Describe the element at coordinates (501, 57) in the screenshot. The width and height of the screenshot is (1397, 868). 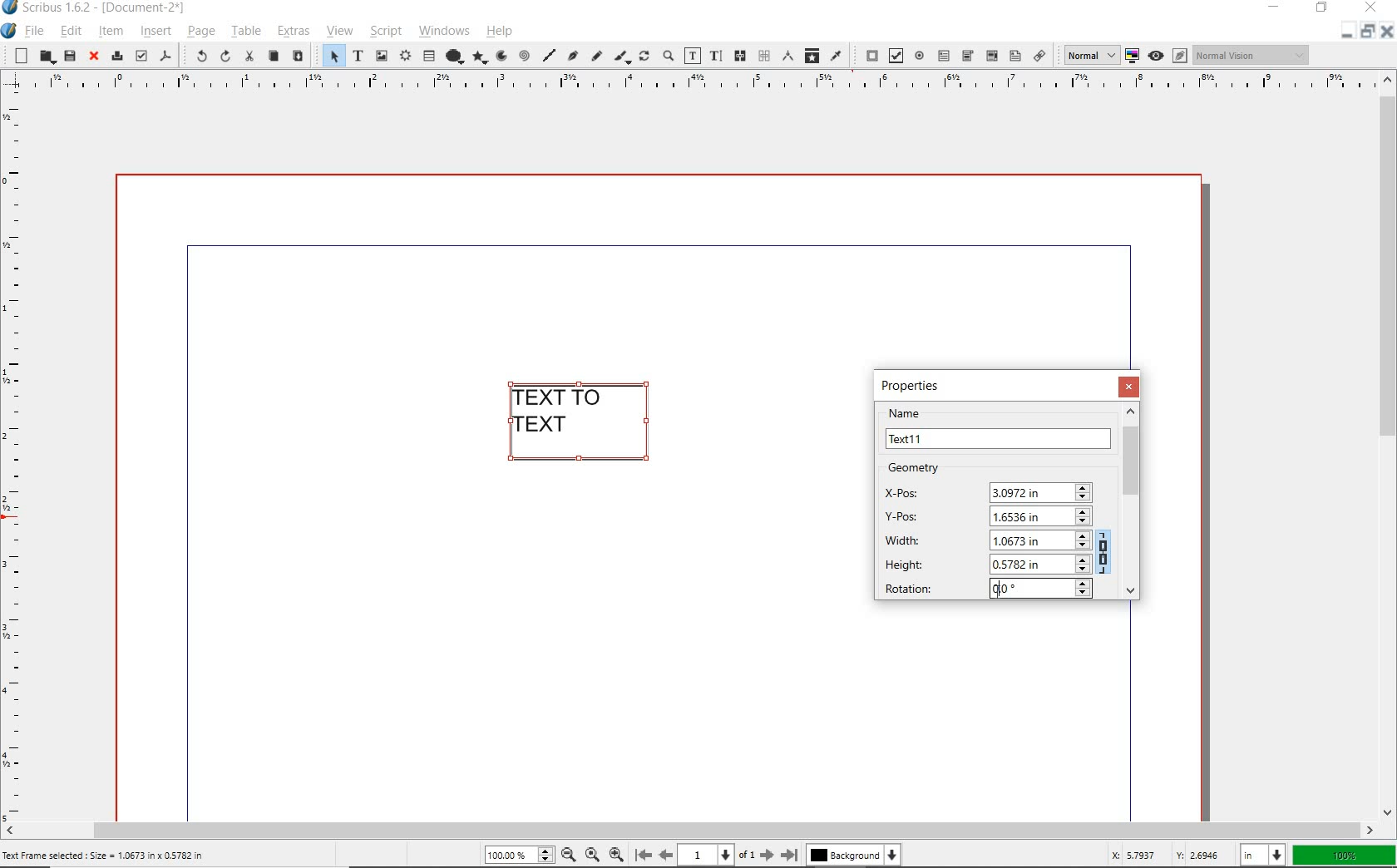
I see `arc` at that location.